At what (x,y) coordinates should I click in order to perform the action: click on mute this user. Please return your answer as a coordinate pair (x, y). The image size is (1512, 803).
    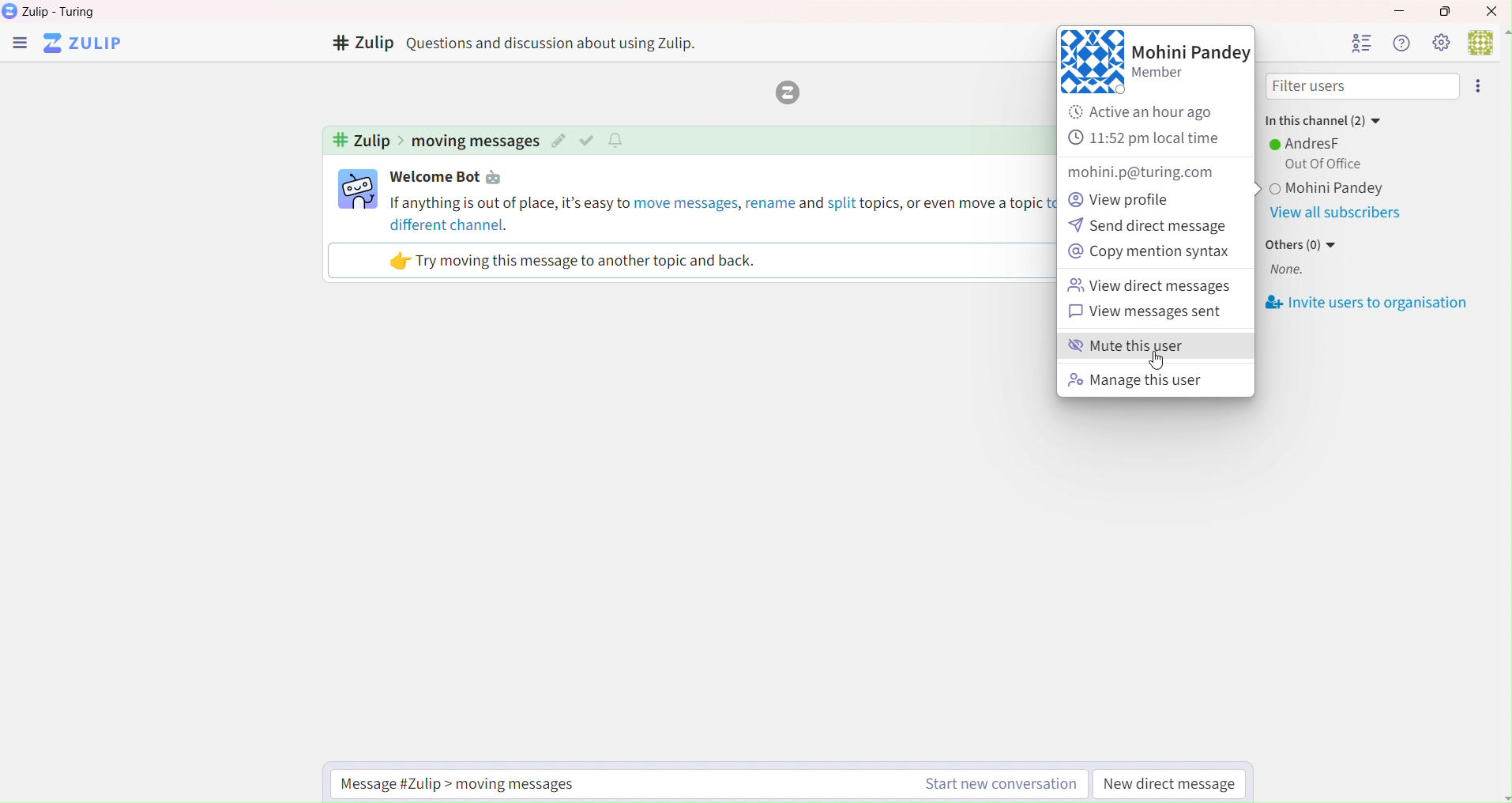
    Looking at the image, I should click on (1149, 348).